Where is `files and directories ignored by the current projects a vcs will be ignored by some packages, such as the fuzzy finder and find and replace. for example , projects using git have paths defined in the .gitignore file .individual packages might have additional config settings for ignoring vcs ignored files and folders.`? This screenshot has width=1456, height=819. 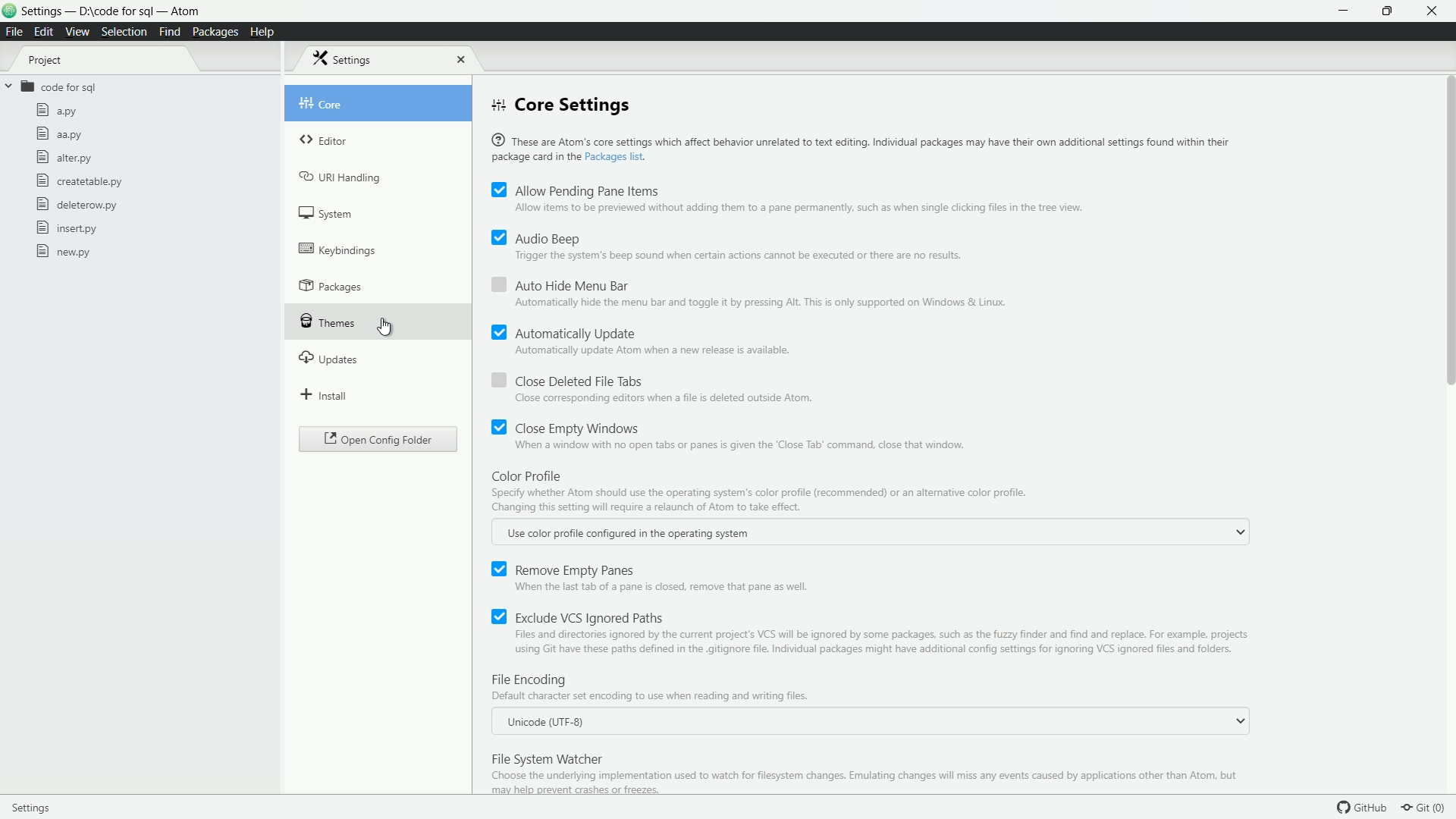
files and directories ignored by the current projects a vcs will be ignored by some packages, such as the fuzzy finder and find and replace. for example , projects using git have paths defined in the .gitignore file .individual packages might have additional config settings for ignoring vcs ignored files and folders. is located at coordinates (923, 642).